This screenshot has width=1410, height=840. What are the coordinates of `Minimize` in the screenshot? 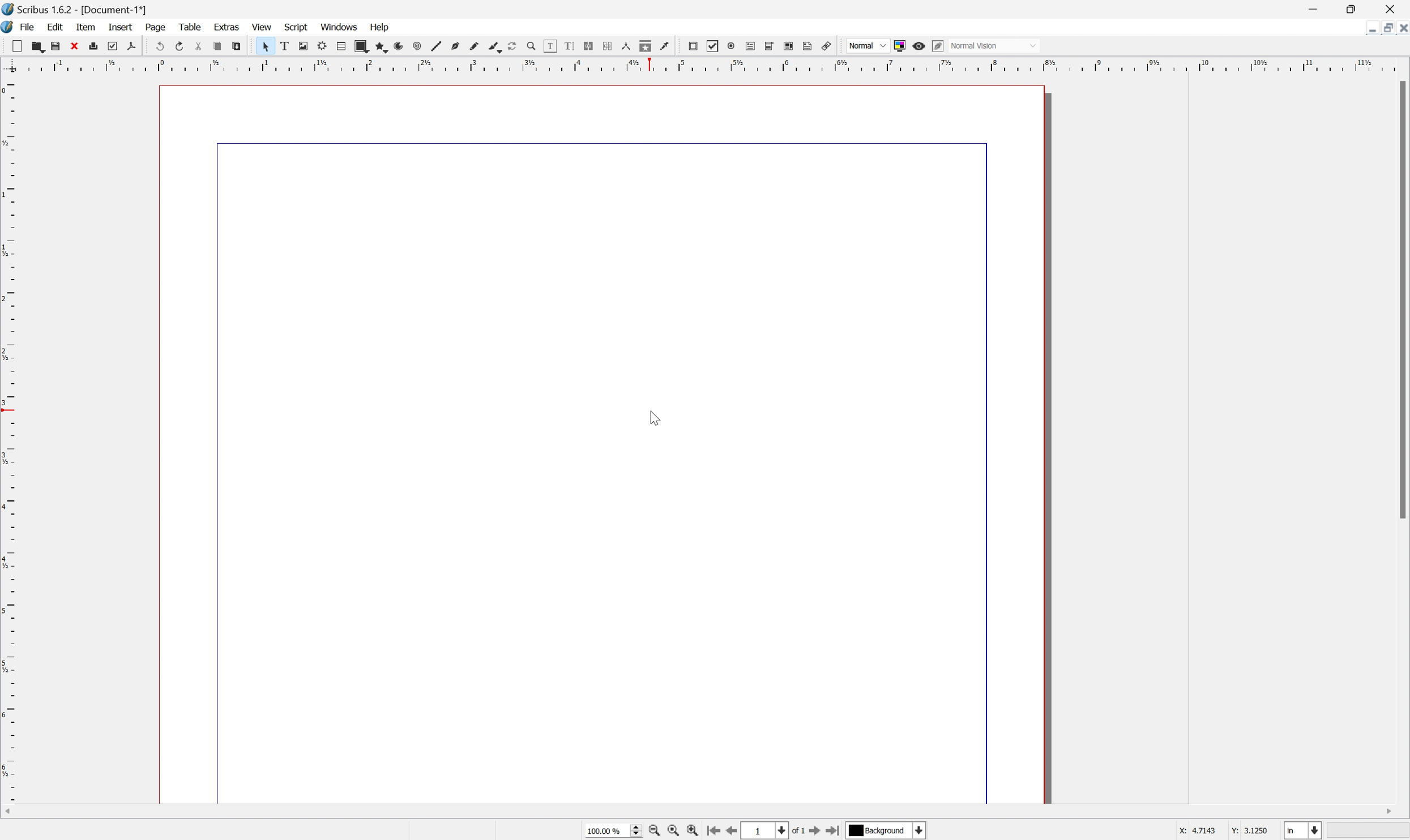 It's located at (1315, 10).